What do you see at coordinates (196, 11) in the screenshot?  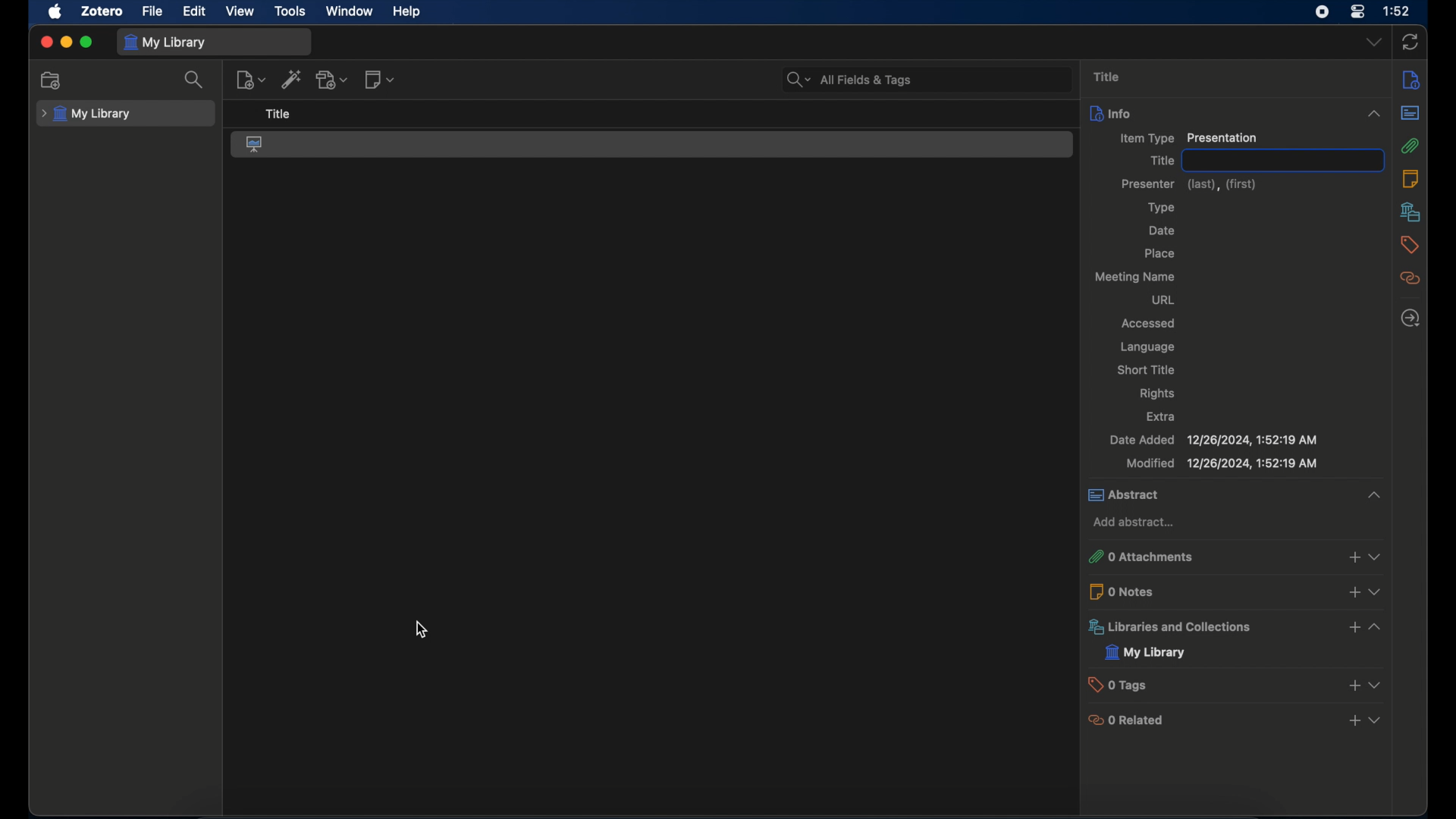 I see `edit` at bounding box center [196, 11].